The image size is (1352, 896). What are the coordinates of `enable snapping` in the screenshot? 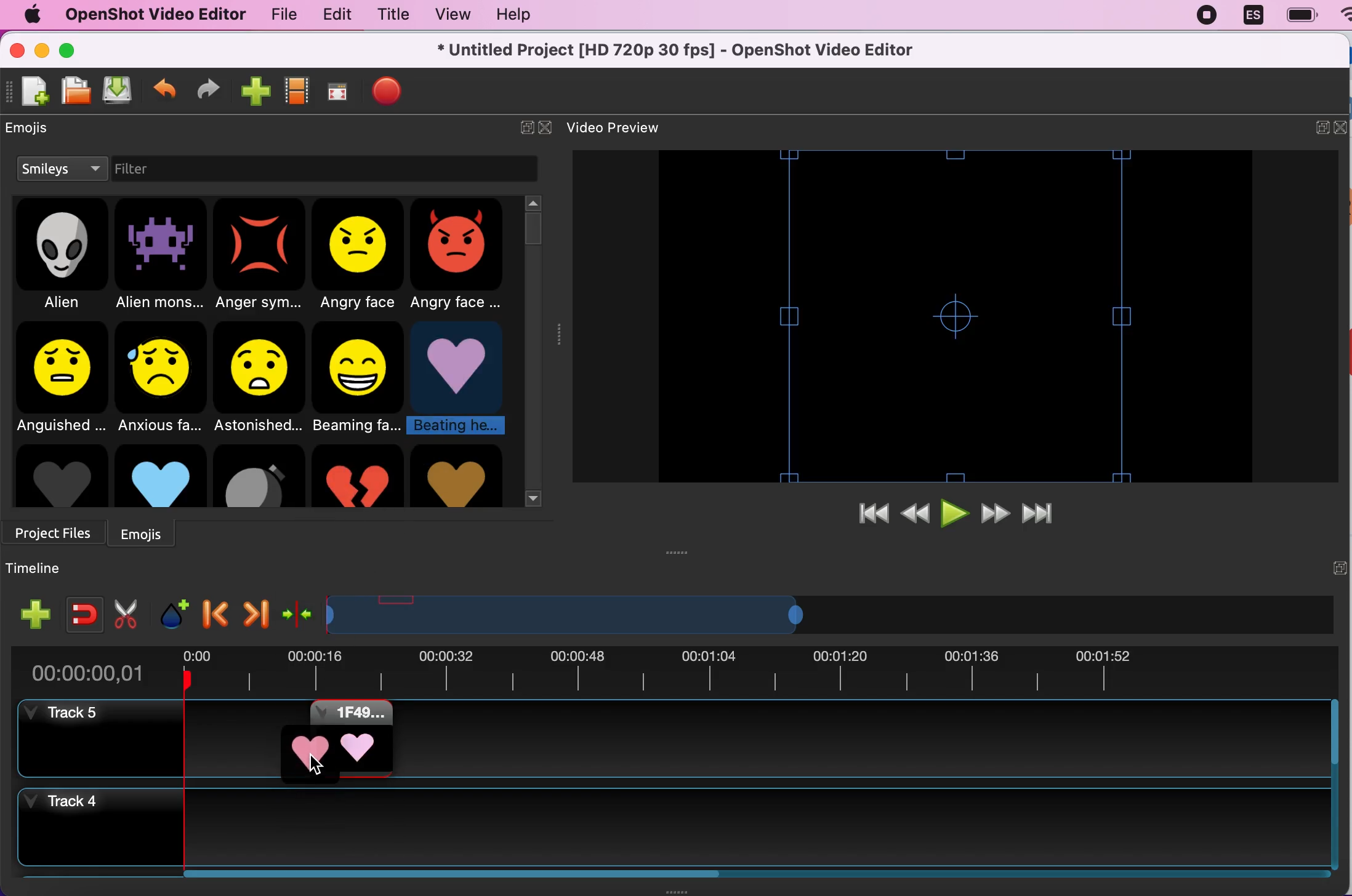 It's located at (80, 610).